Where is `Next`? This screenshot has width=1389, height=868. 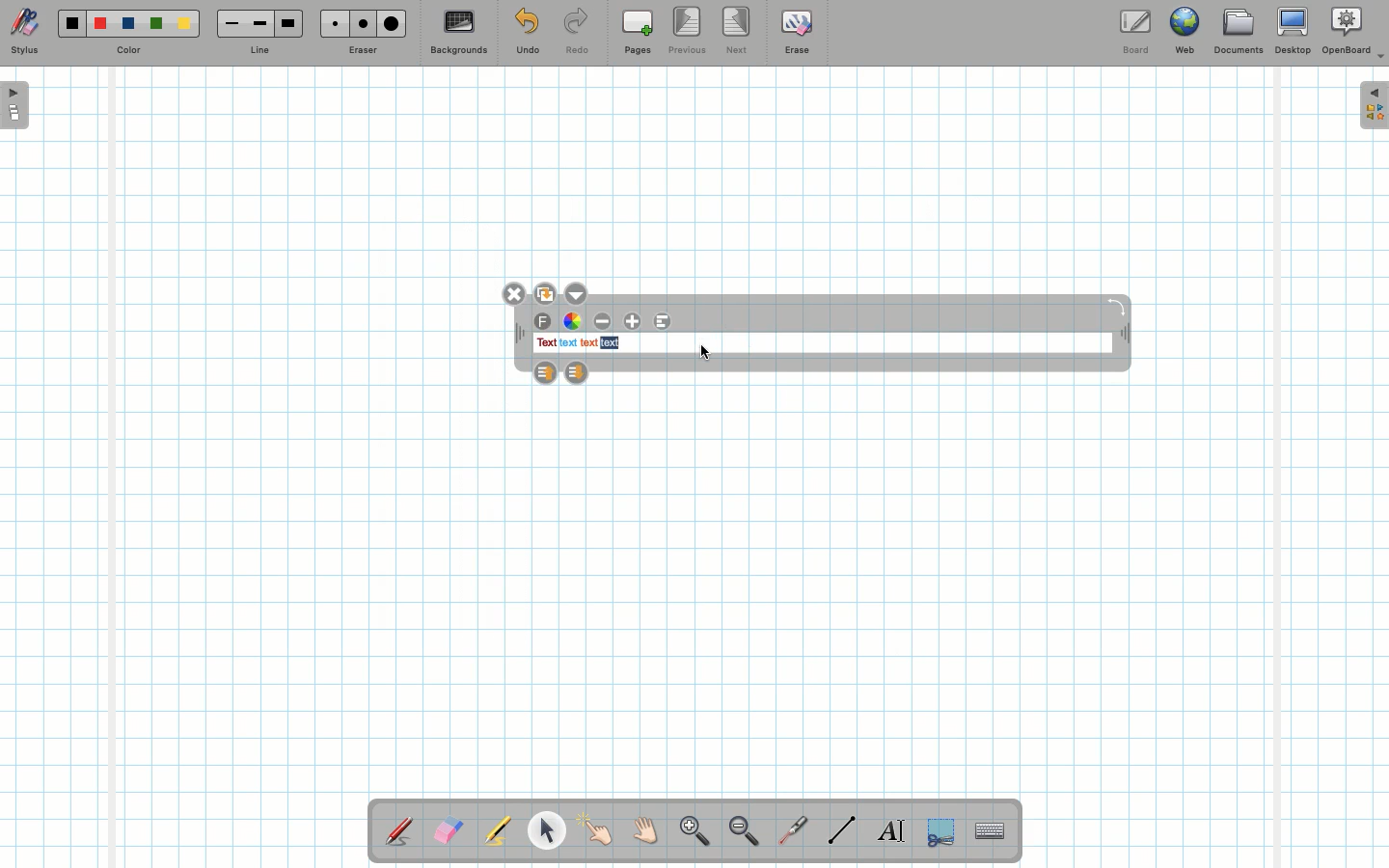 Next is located at coordinates (738, 29).